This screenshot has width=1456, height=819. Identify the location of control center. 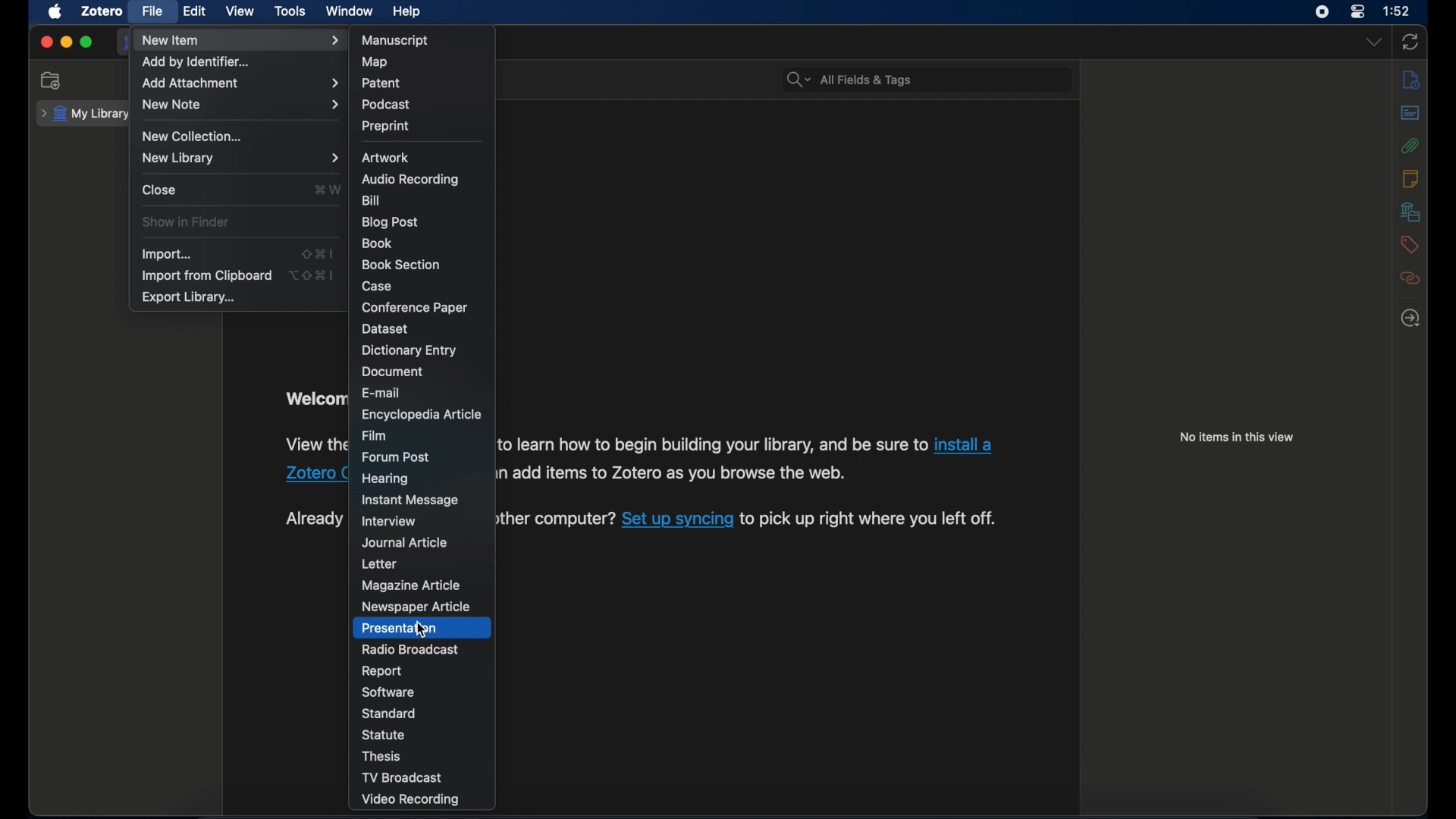
(1357, 12).